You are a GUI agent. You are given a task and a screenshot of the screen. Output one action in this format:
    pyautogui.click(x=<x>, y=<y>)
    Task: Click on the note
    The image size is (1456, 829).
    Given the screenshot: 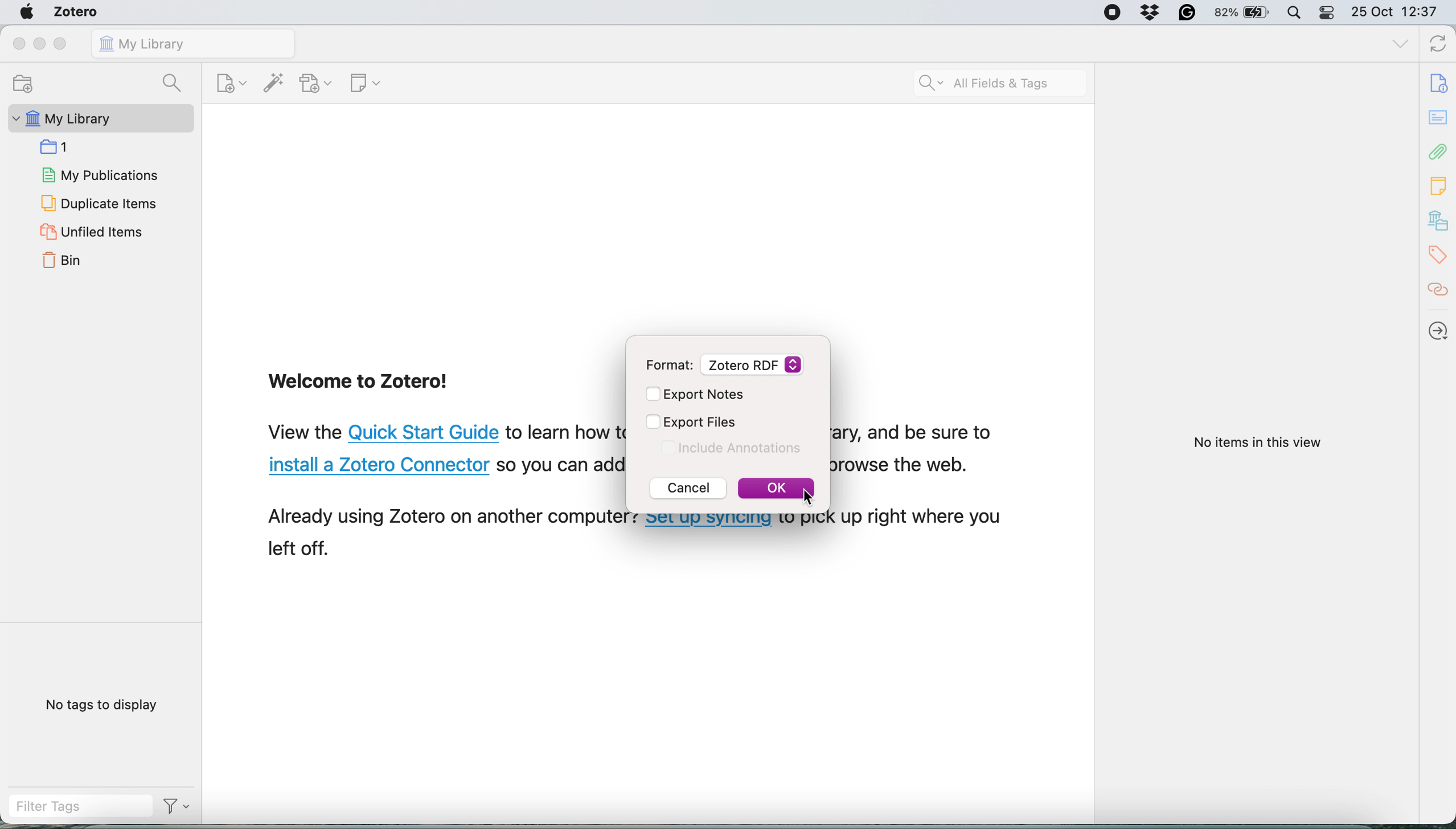 What is the action you would take?
    pyautogui.click(x=1438, y=188)
    